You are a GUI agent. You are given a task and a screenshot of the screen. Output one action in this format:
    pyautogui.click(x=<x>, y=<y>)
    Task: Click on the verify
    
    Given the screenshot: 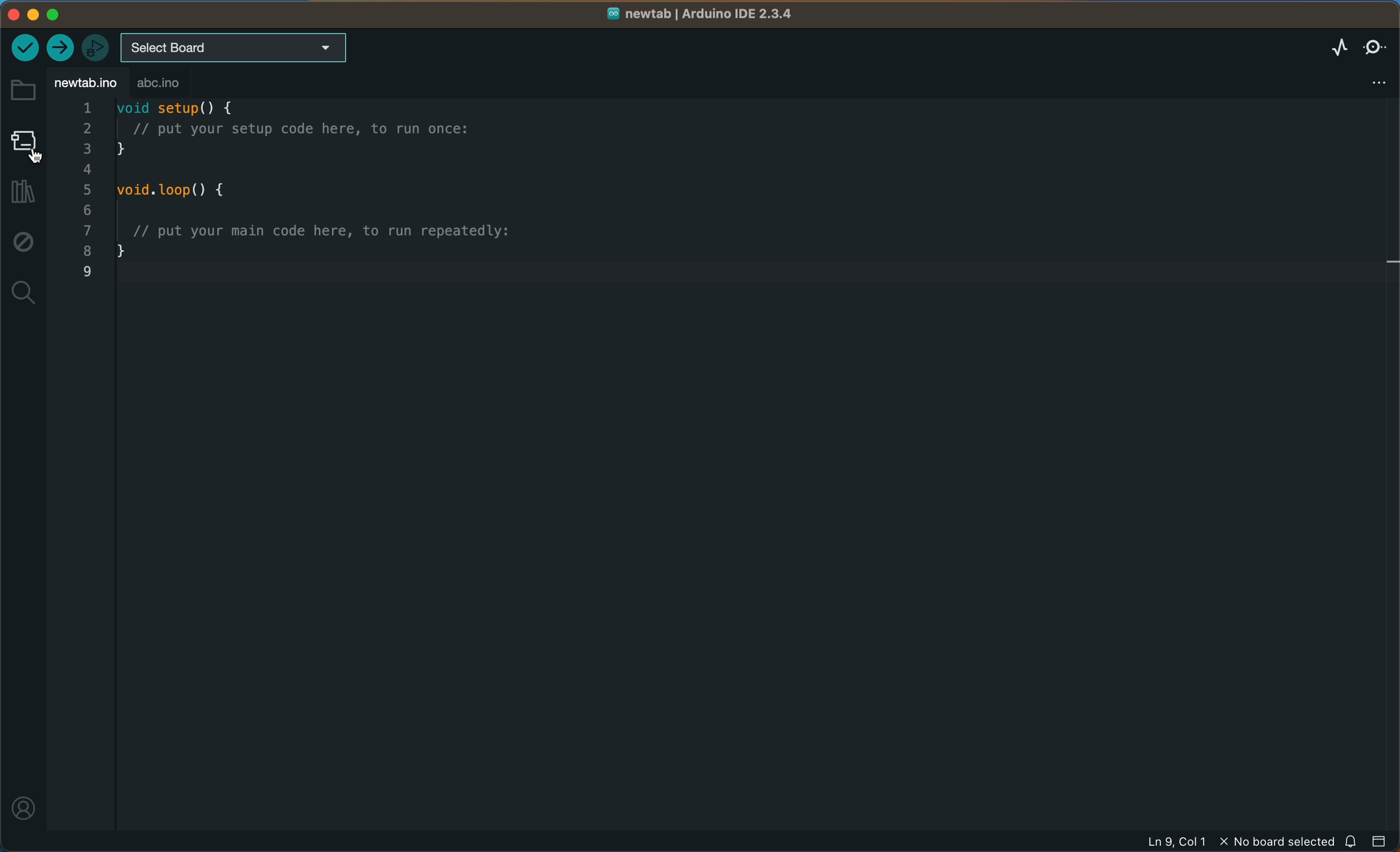 What is the action you would take?
    pyautogui.click(x=26, y=49)
    